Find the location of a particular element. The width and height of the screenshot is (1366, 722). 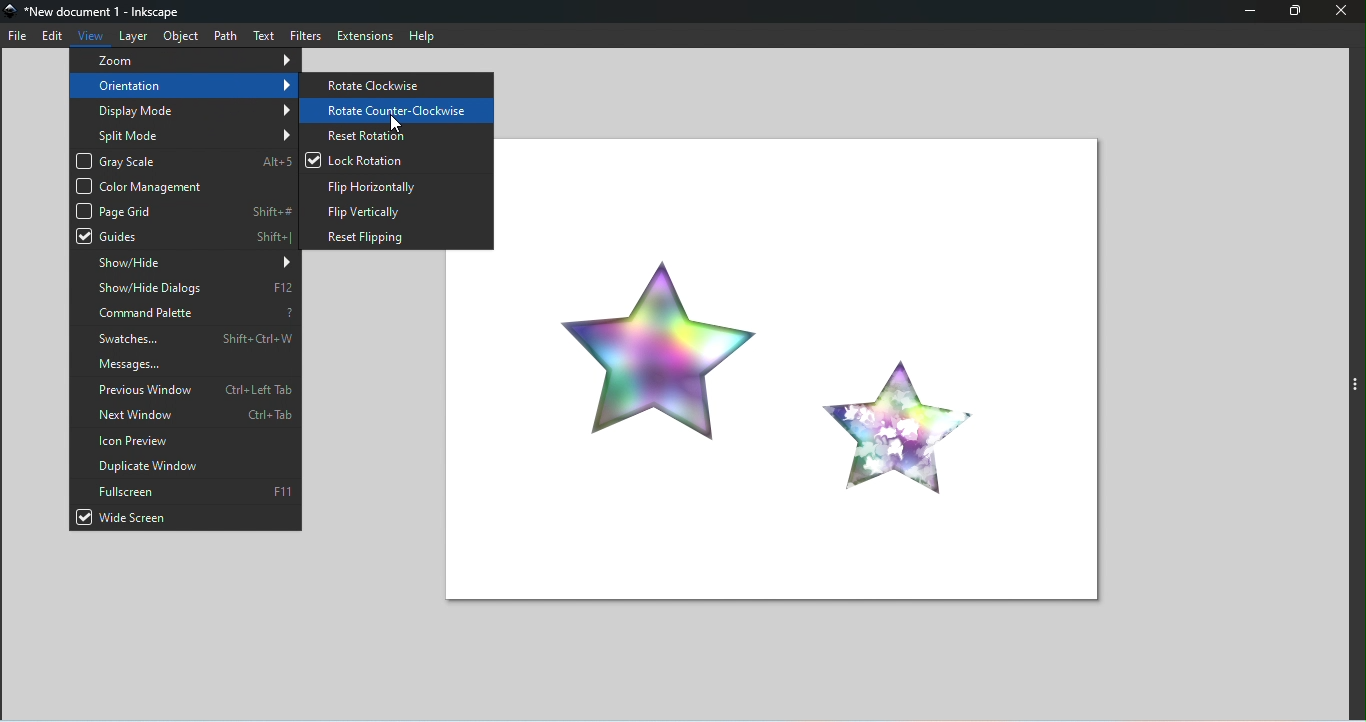

Page grid is located at coordinates (183, 210).